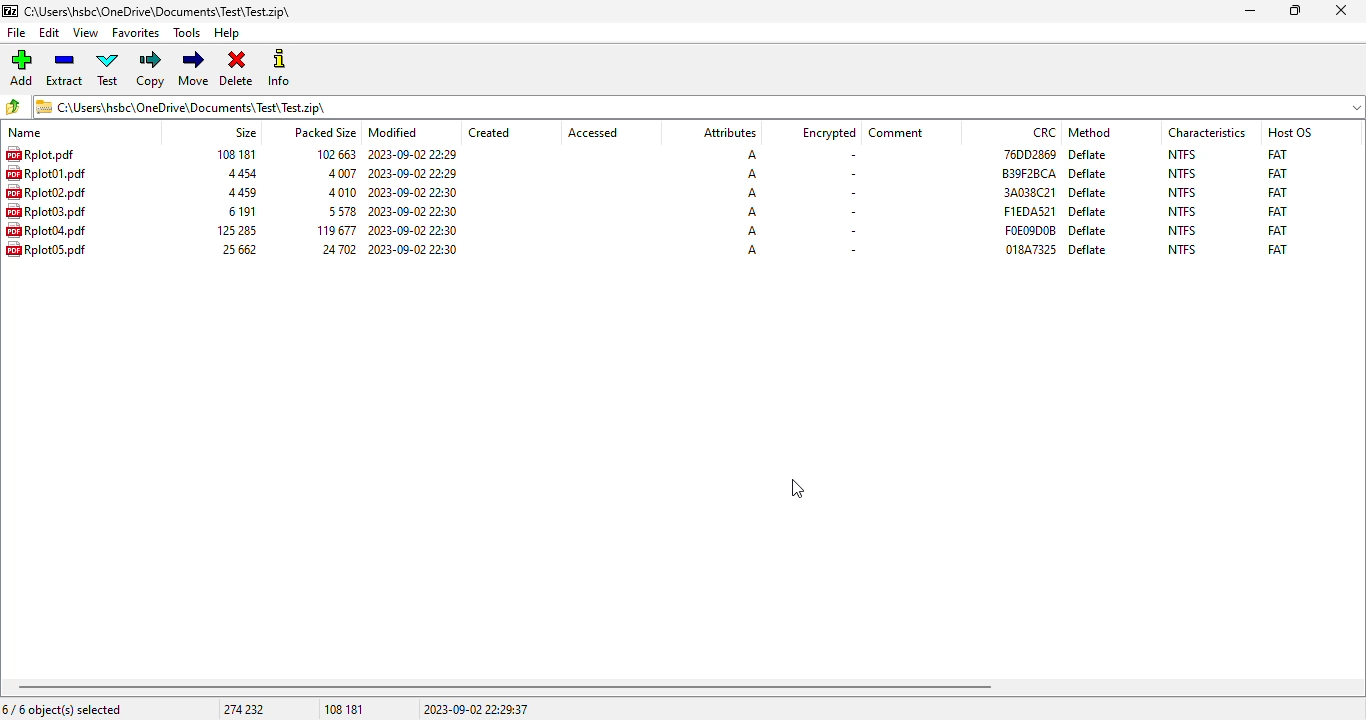  I want to click on 6/6 object(s) selected, so click(62, 709).